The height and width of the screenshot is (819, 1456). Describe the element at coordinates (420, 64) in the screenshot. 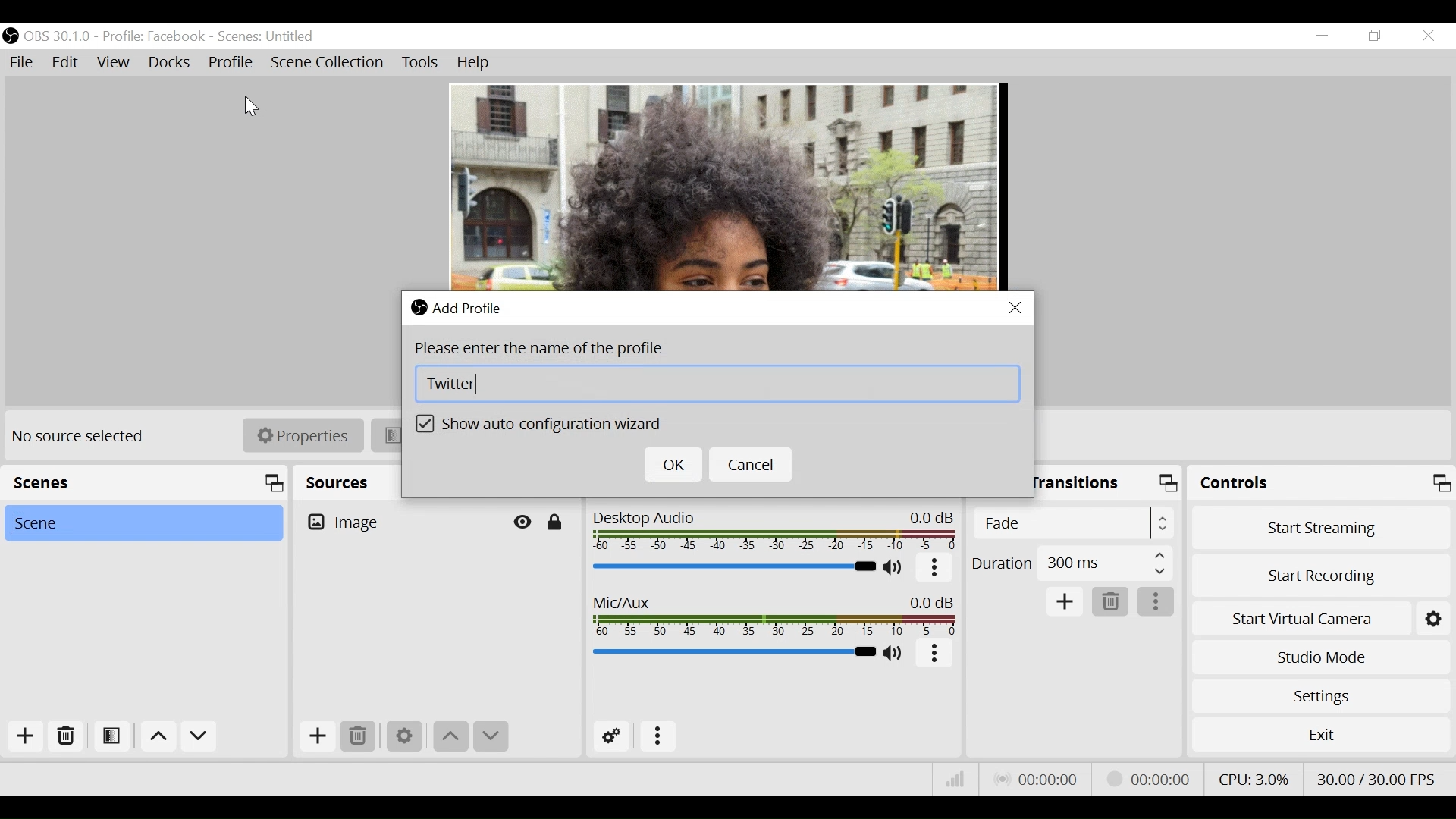

I see `Tools` at that location.